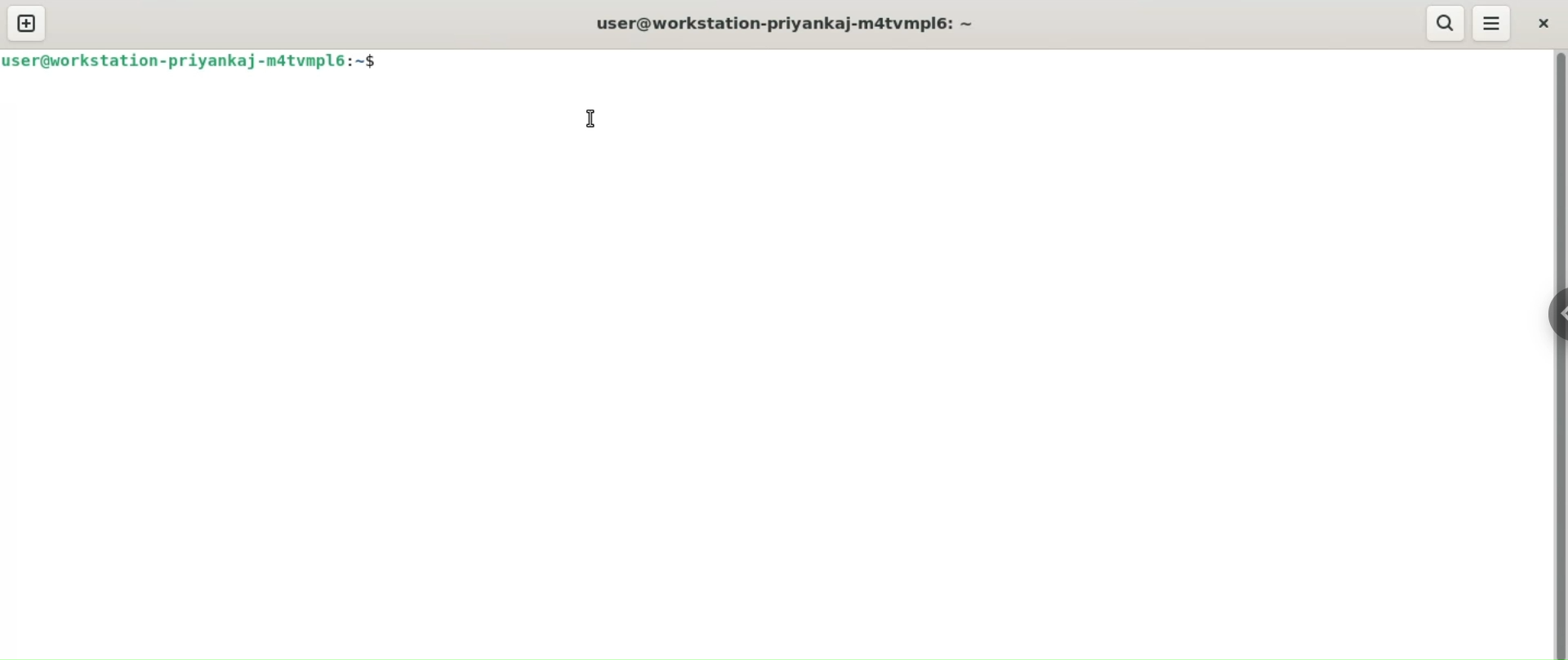 This screenshot has width=1568, height=660. Describe the element at coordinates (1558, 352) in the screenshot. I see `vertical scroll bar` at that location.